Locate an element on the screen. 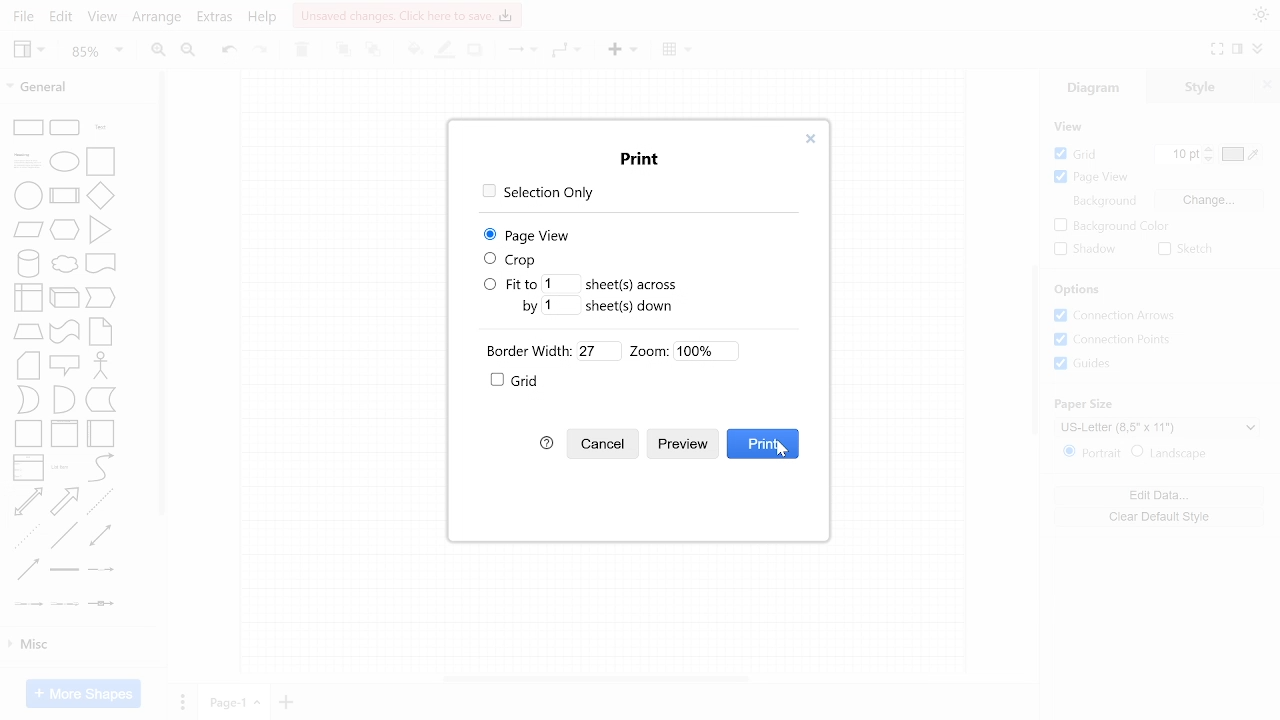 The height and width of the screenshot is (720, 1280). And is located at coordinates (64, 400).